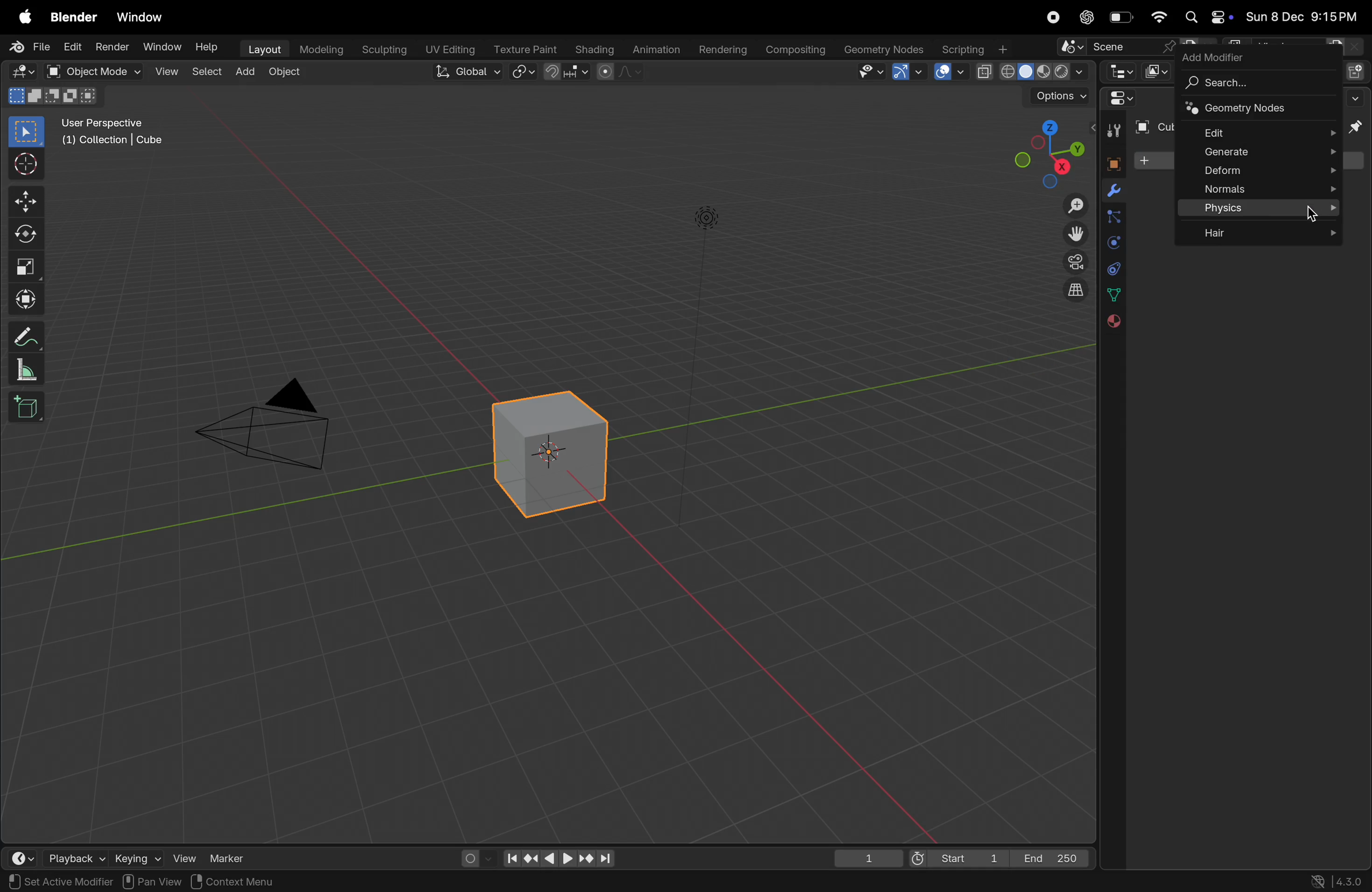 The height and width of the screenshot is (892, 1372). What do you see at coordinates (591, 47) in the screenshot?
I see `shading` at bounding box center [591, 47].